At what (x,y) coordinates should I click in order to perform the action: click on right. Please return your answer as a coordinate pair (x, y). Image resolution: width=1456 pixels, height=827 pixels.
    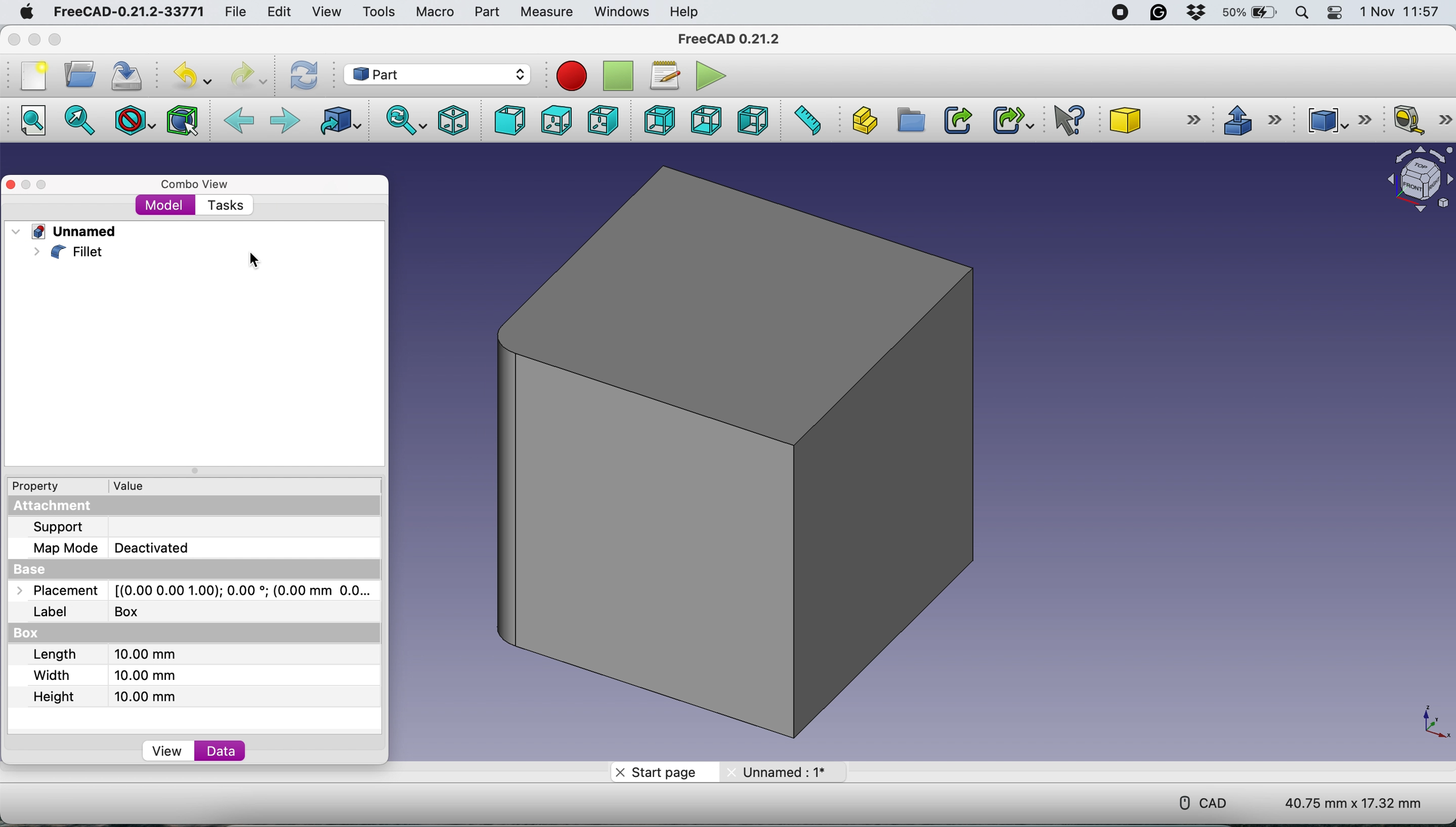
    Looking at the image, I should click on (604, 119).